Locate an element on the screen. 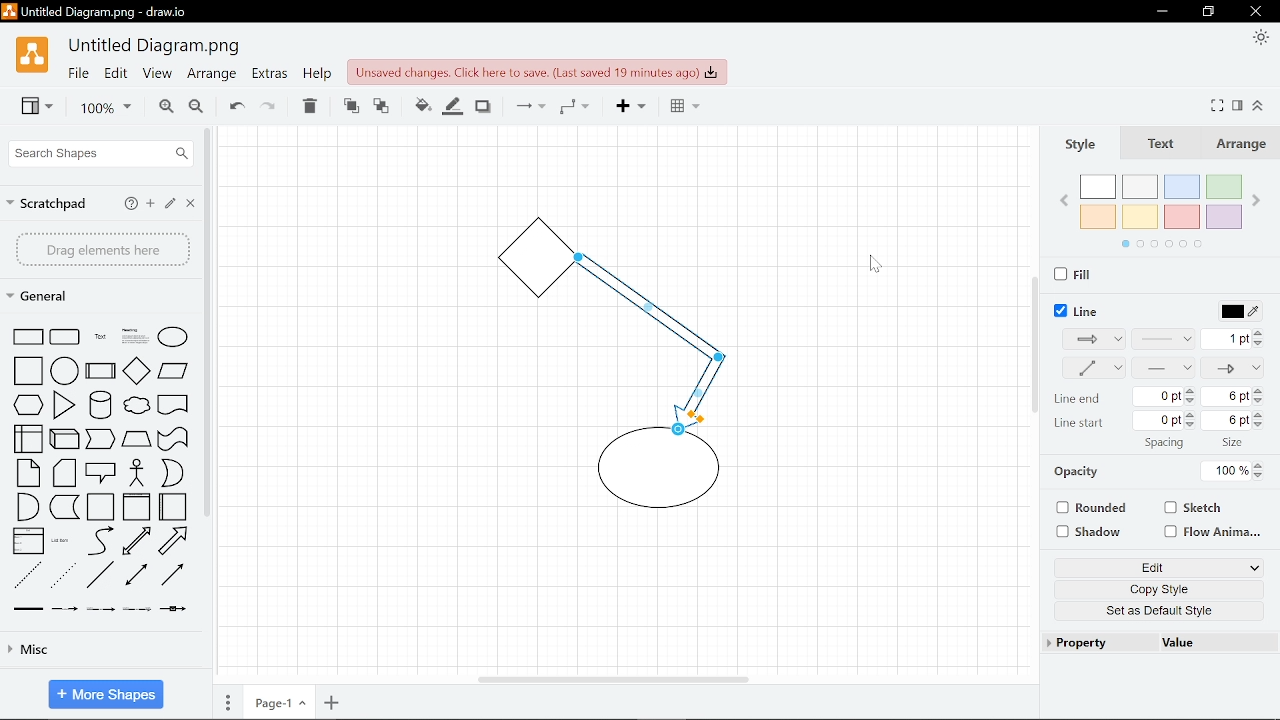 This screenshot has width=1280, height=720. horizontal scrolling bar is located at coordinates (612, 678).